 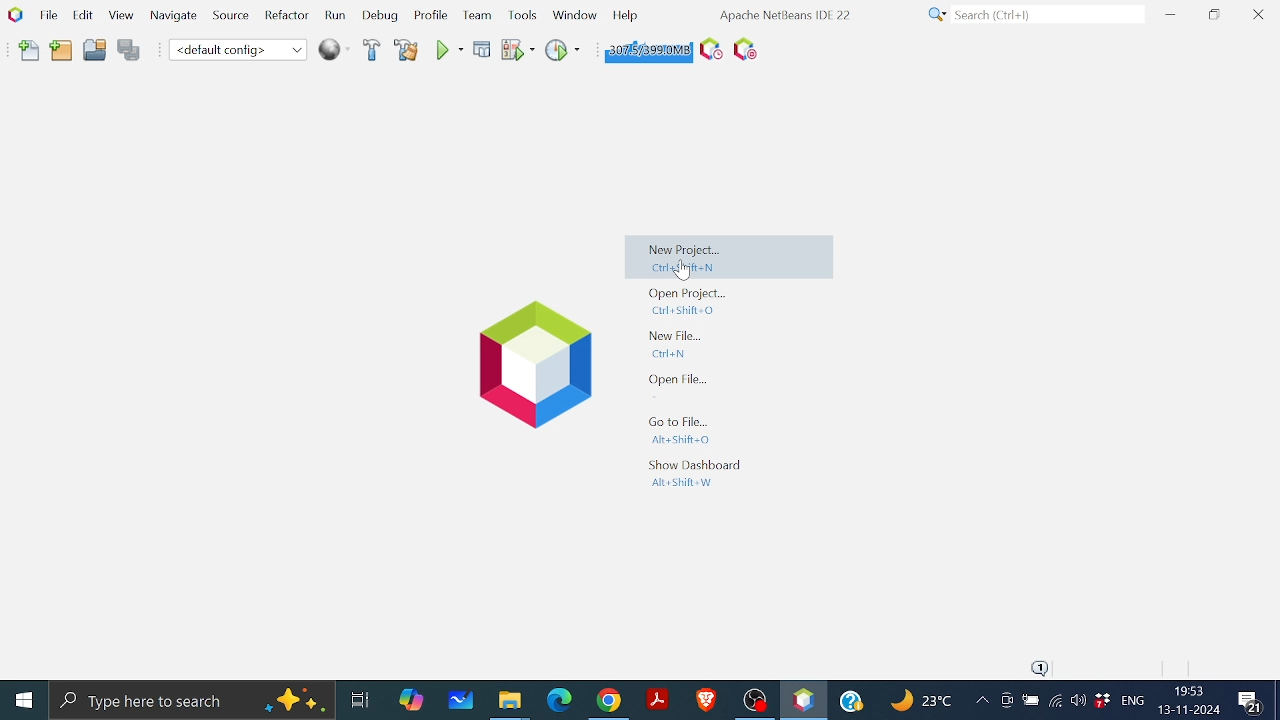 I want to click on Close, so click(x=1258, y=15).